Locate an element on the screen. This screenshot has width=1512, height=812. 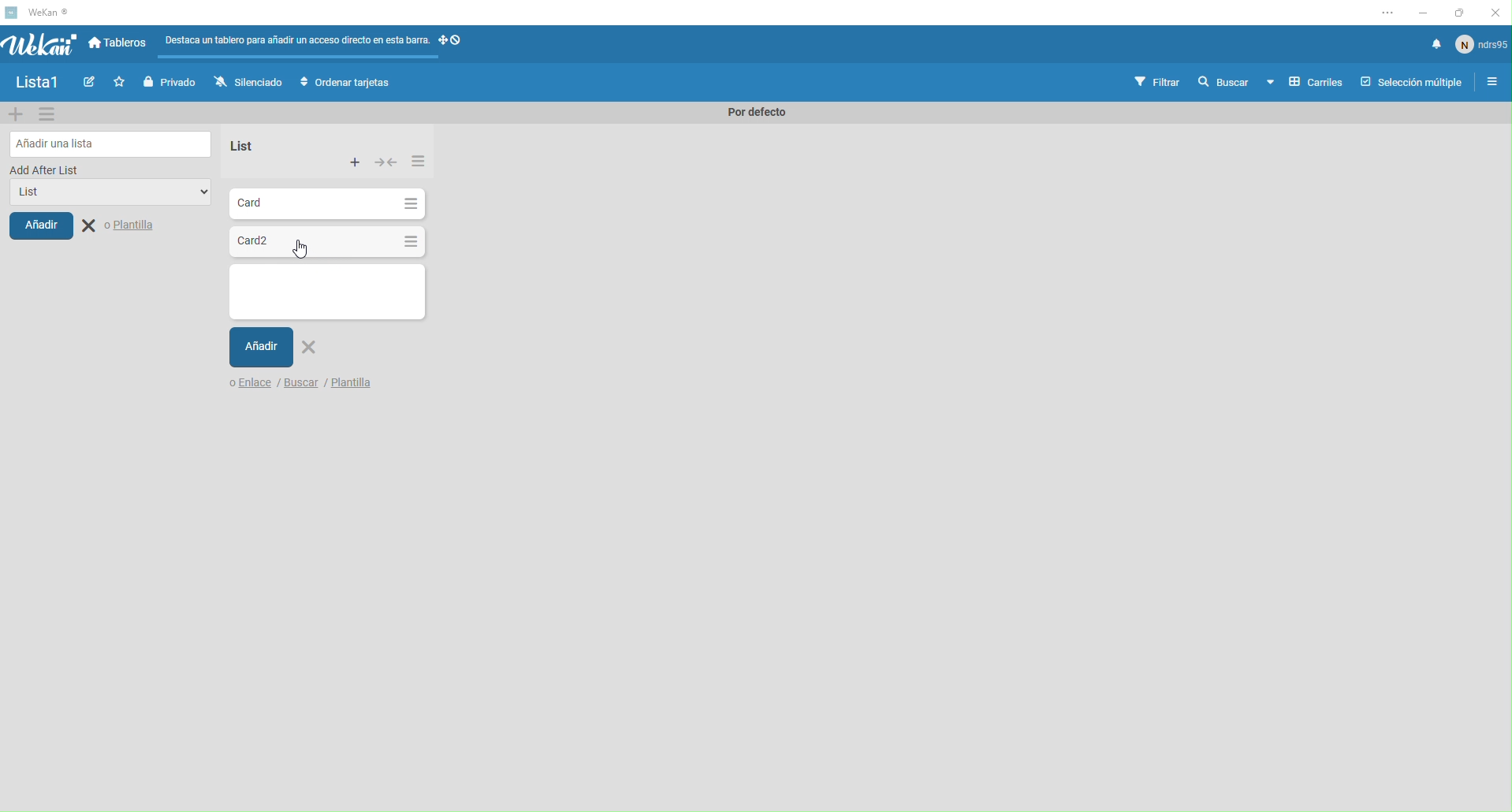
Card is located at coordinates (289, 239).